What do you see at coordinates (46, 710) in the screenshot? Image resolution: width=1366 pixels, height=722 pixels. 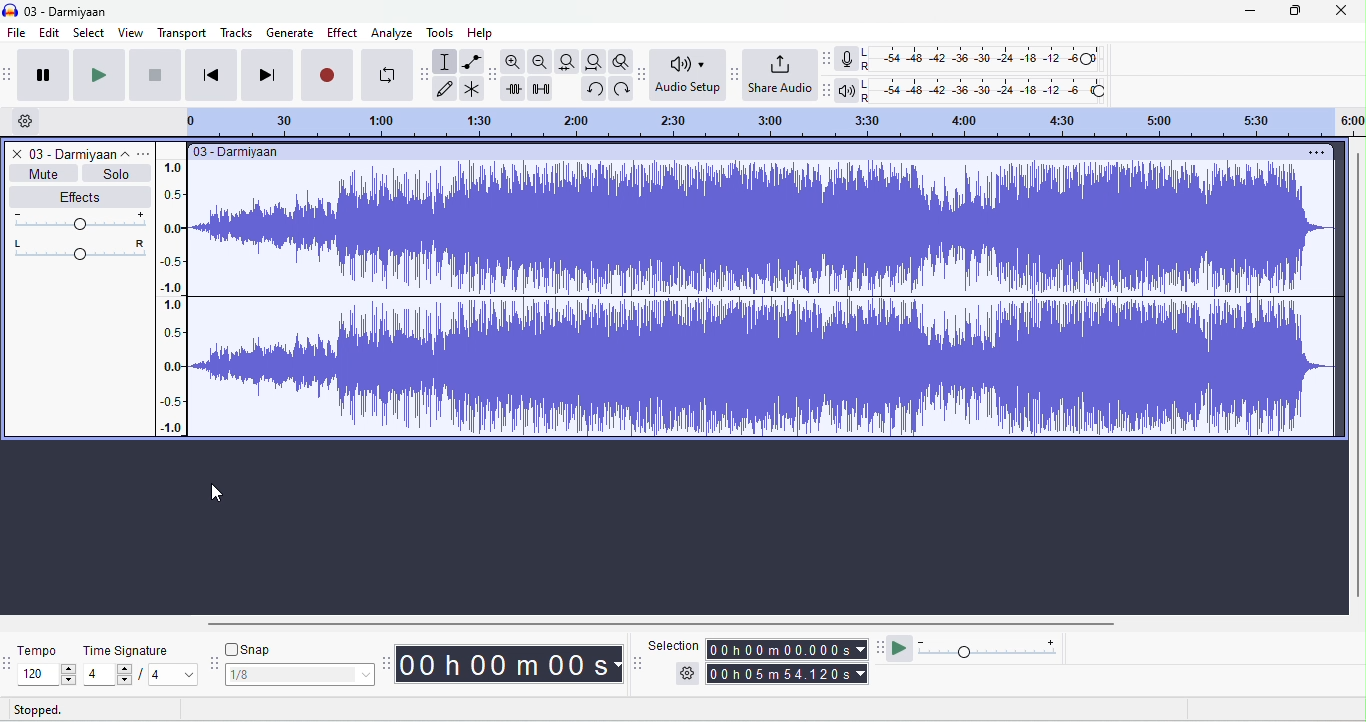 I see `stopped` at bounding box center [46, 710].